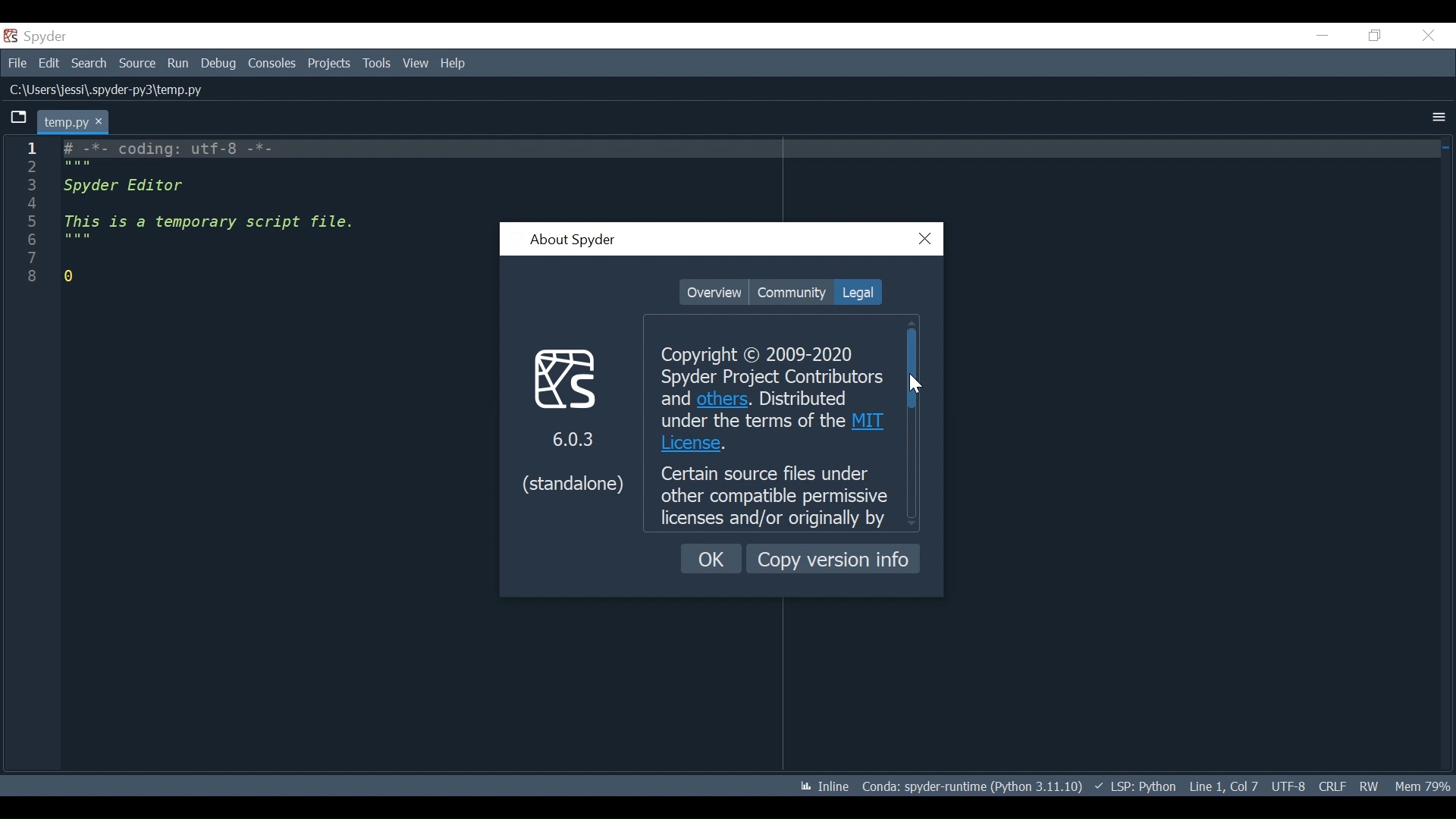 The height and width of the screenshot is (819, 1456). Describe the element at coordinates (271, 64) in the screenshot. I see `Consoles` at that location.